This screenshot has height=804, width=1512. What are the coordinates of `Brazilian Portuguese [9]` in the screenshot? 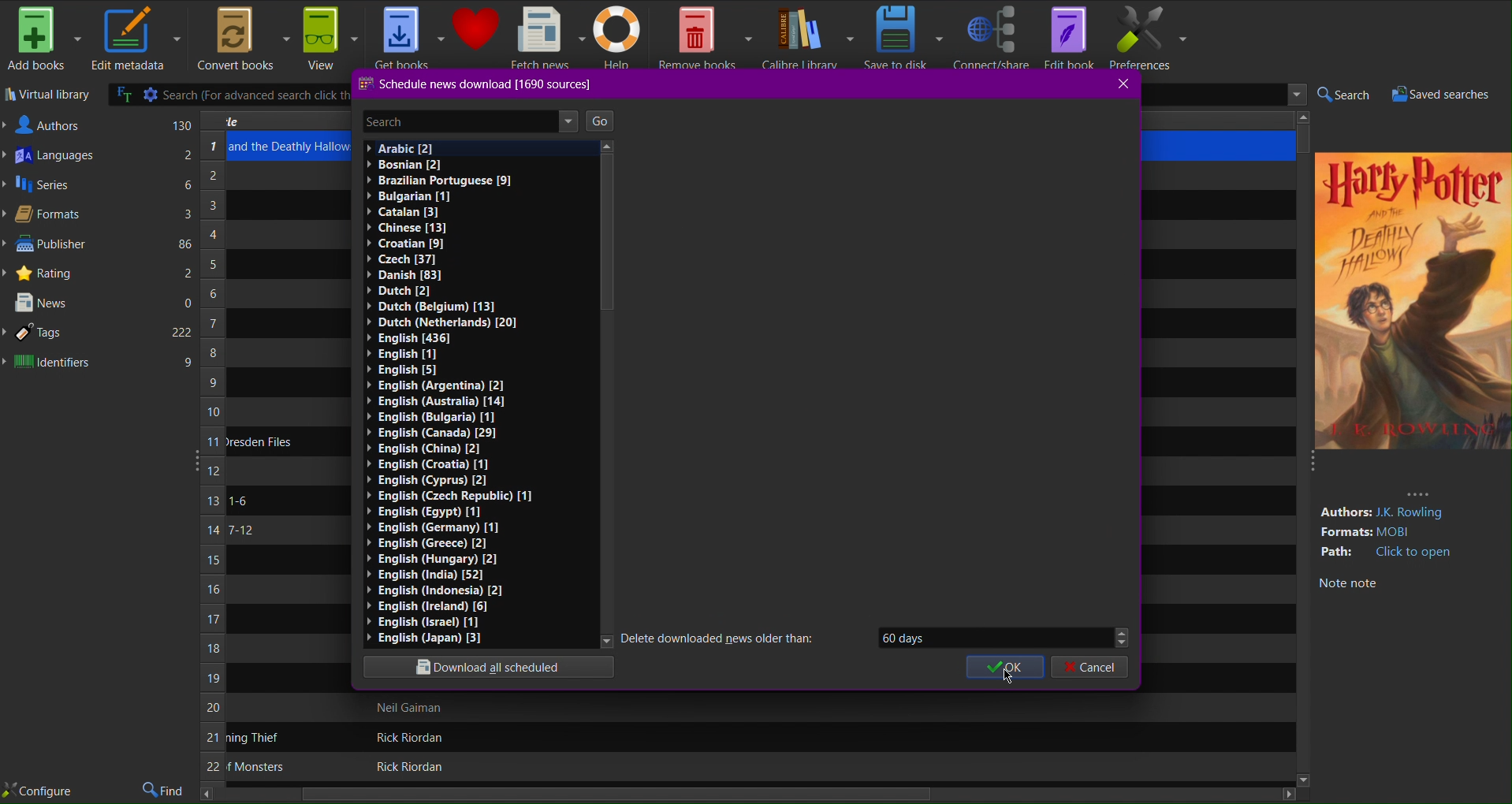 It's located at (439, 181).